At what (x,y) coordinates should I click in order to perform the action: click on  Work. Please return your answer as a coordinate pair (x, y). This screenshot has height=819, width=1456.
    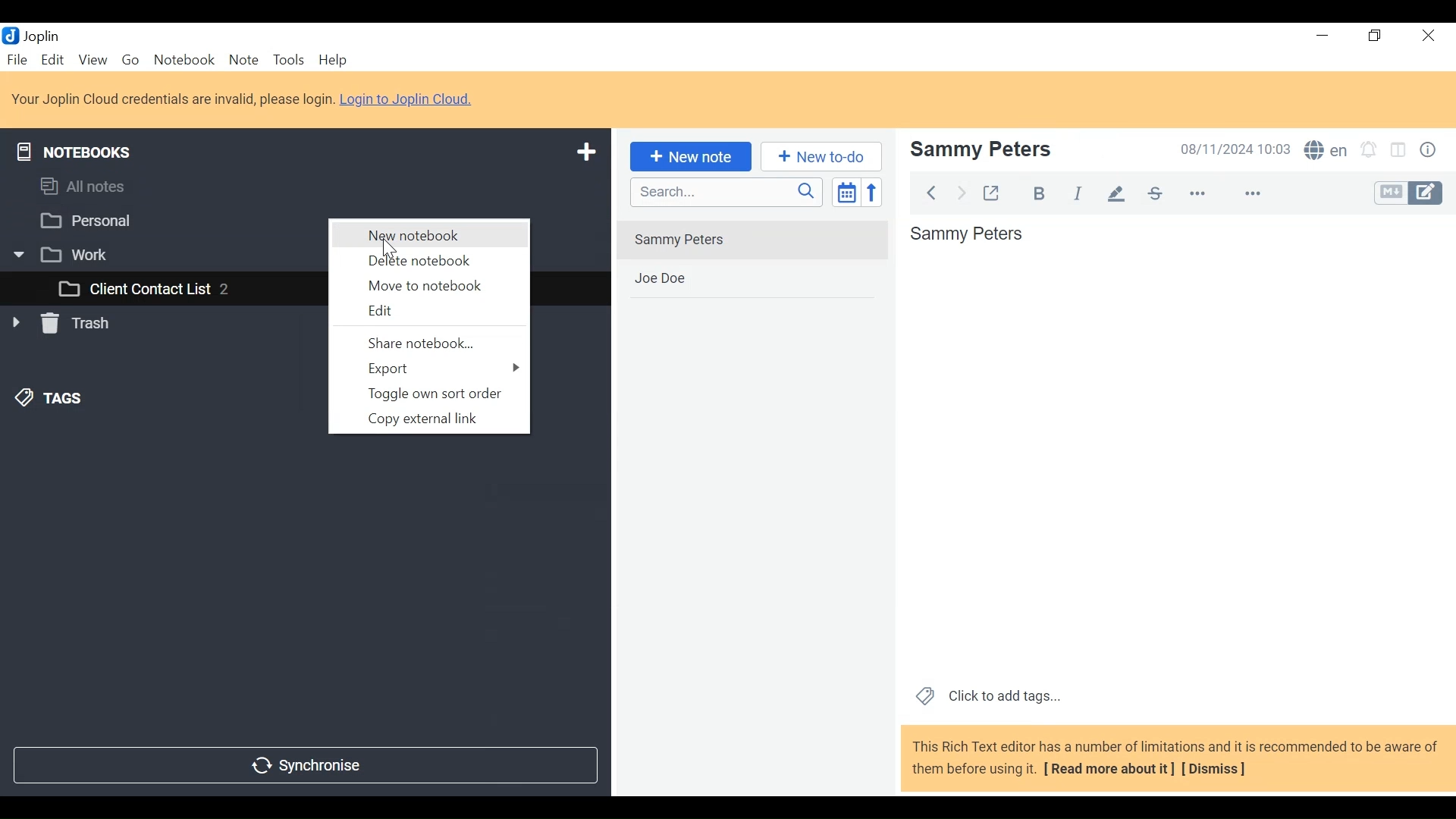
    Looking at the image, I should click on (61, 253).